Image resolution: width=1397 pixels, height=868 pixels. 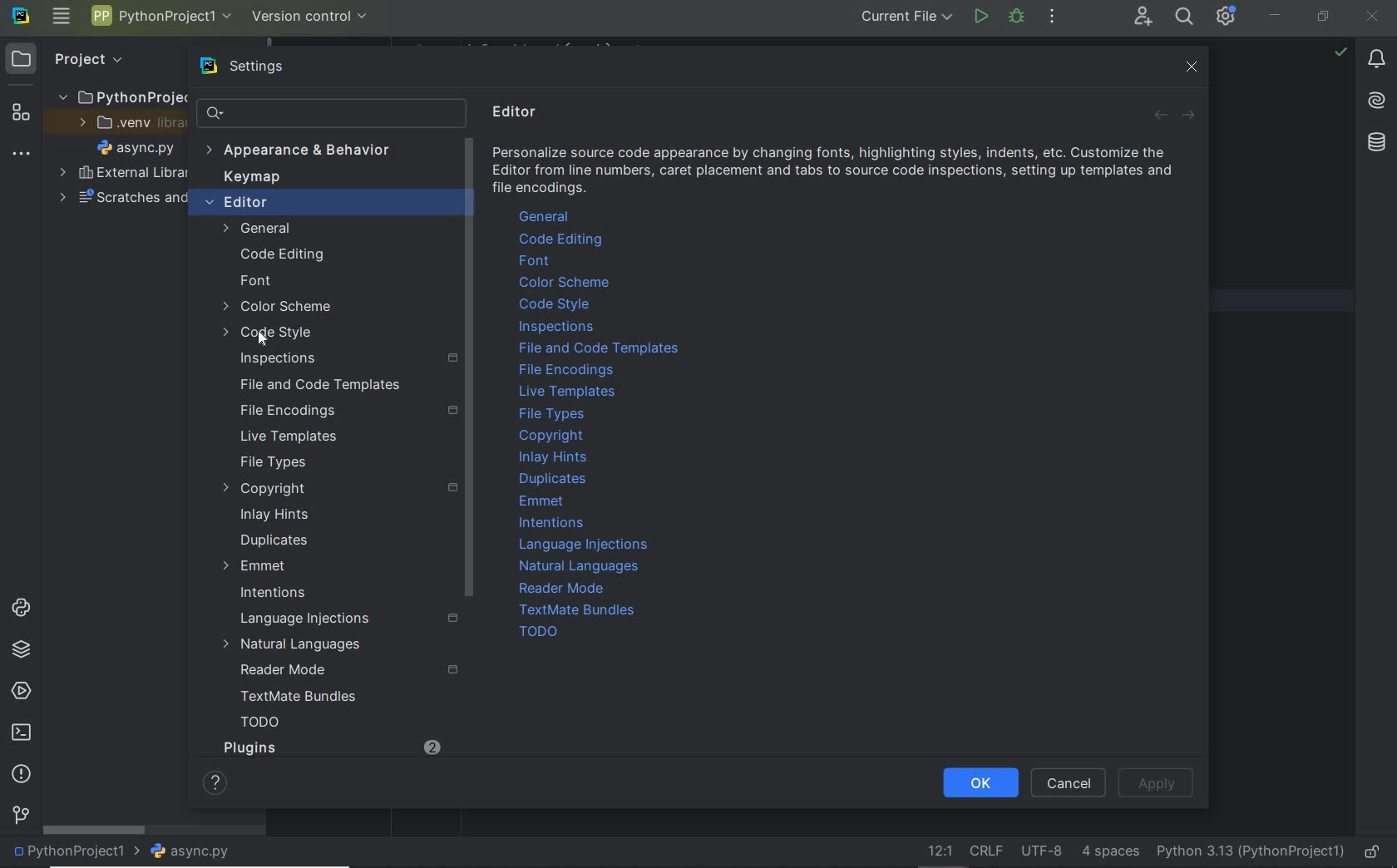 I want to click on search settings, so click(x=318, y=113).